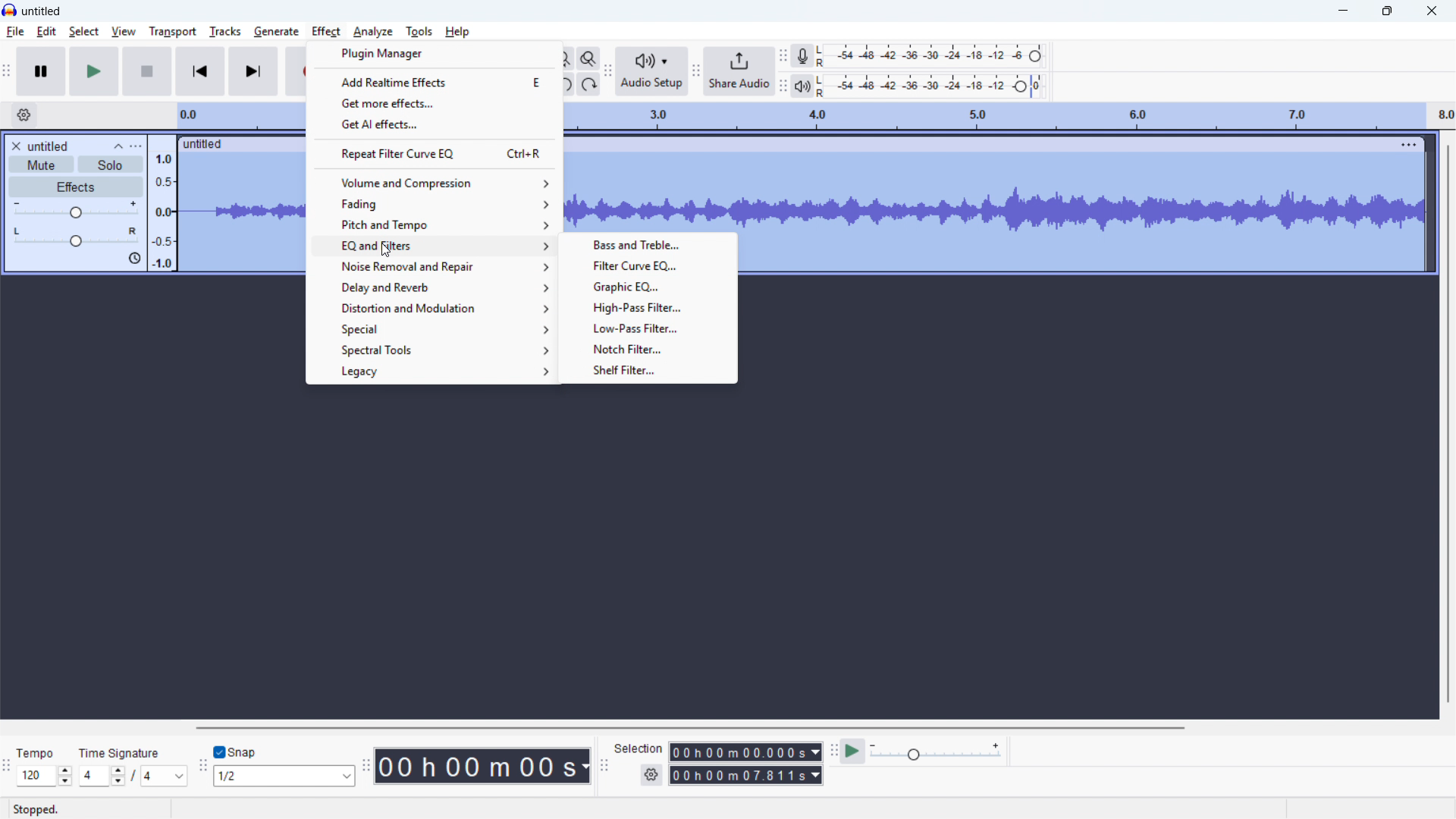 This screenshot has width=1456, height=819. What do you see at coordinates (42, 11) in the screenshot?
I see `project title` at bounding box center [42, 11].